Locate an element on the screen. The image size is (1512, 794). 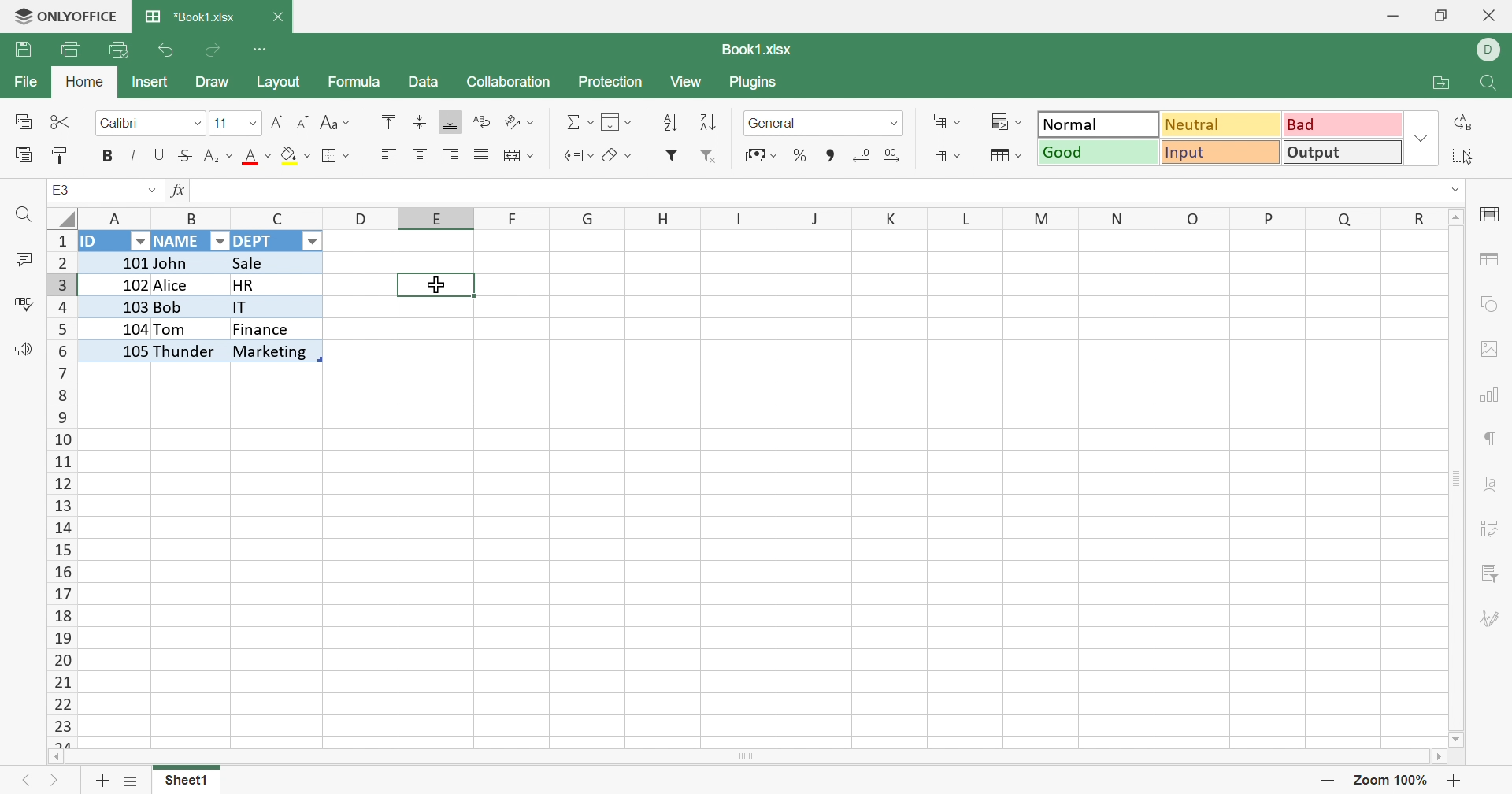
Feedback & Support is located at coordinates (18, 350).